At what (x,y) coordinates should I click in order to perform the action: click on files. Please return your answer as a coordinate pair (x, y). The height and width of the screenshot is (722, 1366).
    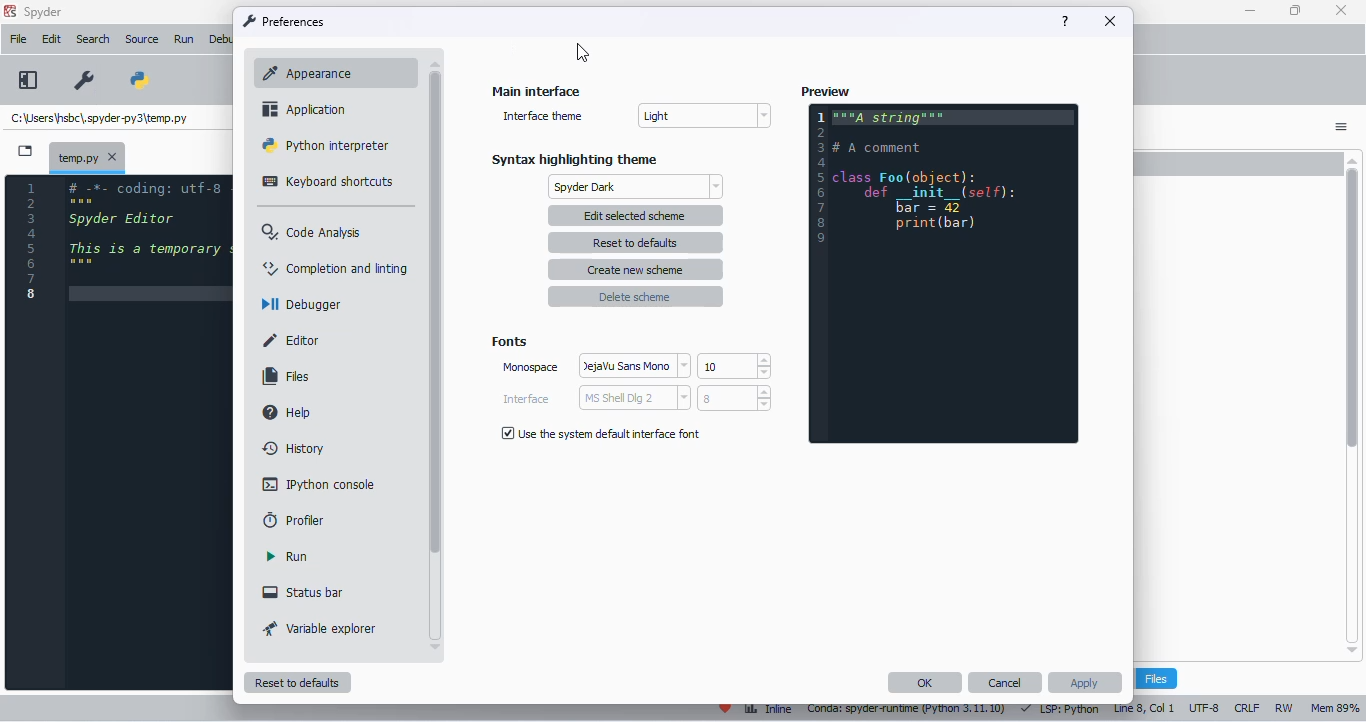
    Looking at the image, I should click on (285, 376).